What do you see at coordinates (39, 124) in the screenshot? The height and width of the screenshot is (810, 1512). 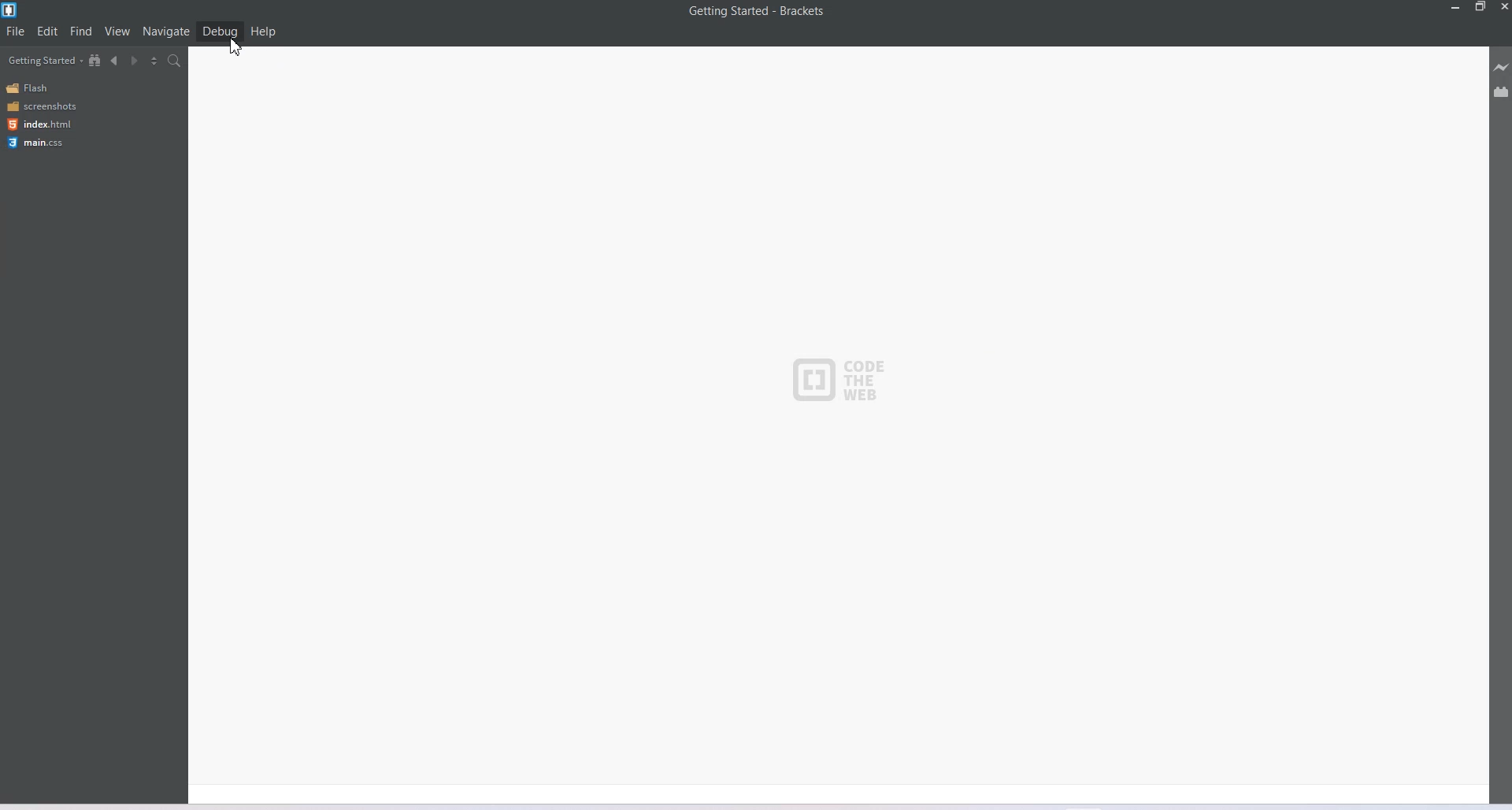 I see `index.html` at bounding box center [39, 124].